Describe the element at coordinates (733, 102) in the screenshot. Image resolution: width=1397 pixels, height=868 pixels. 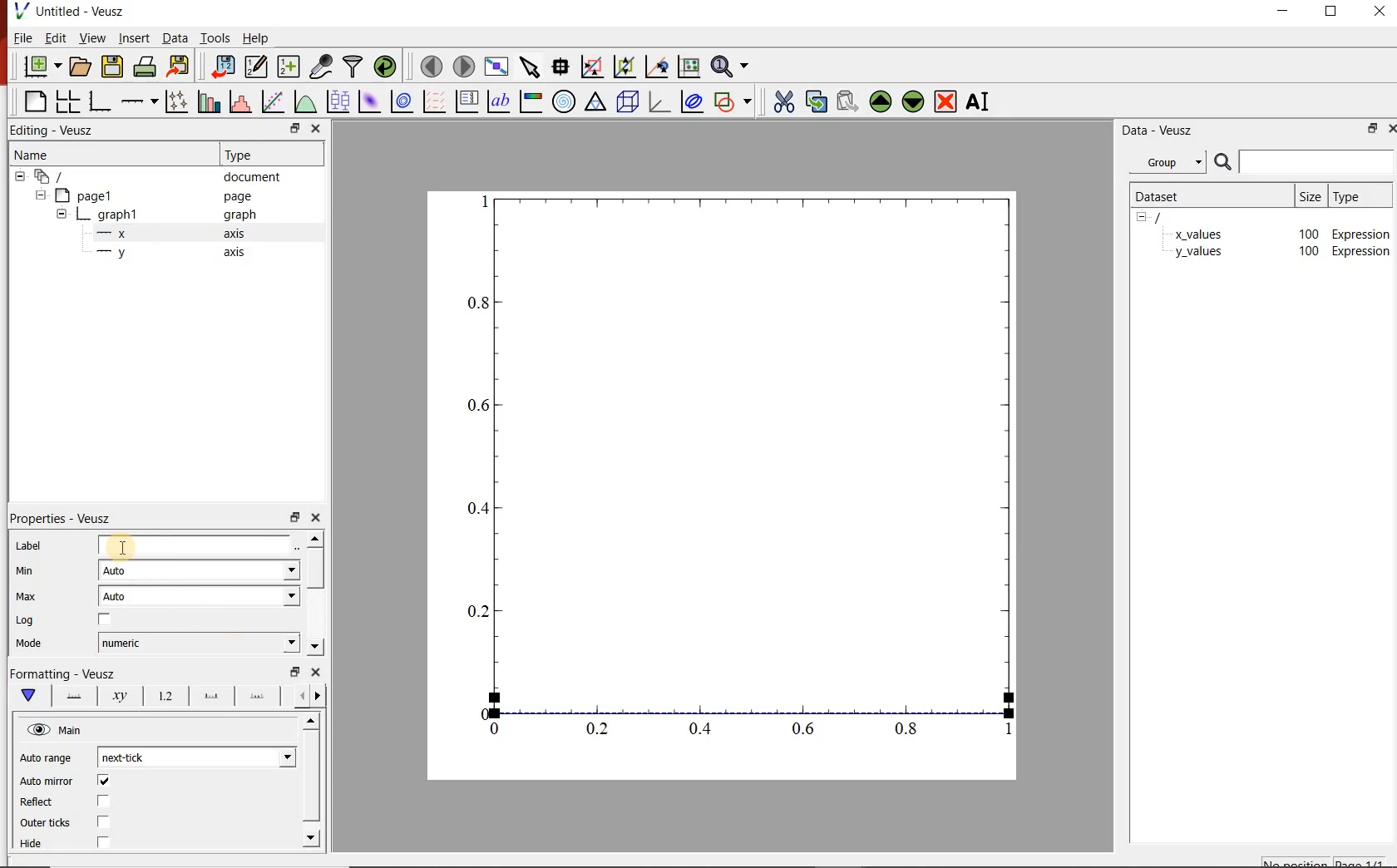
I see `add shape` at that location.